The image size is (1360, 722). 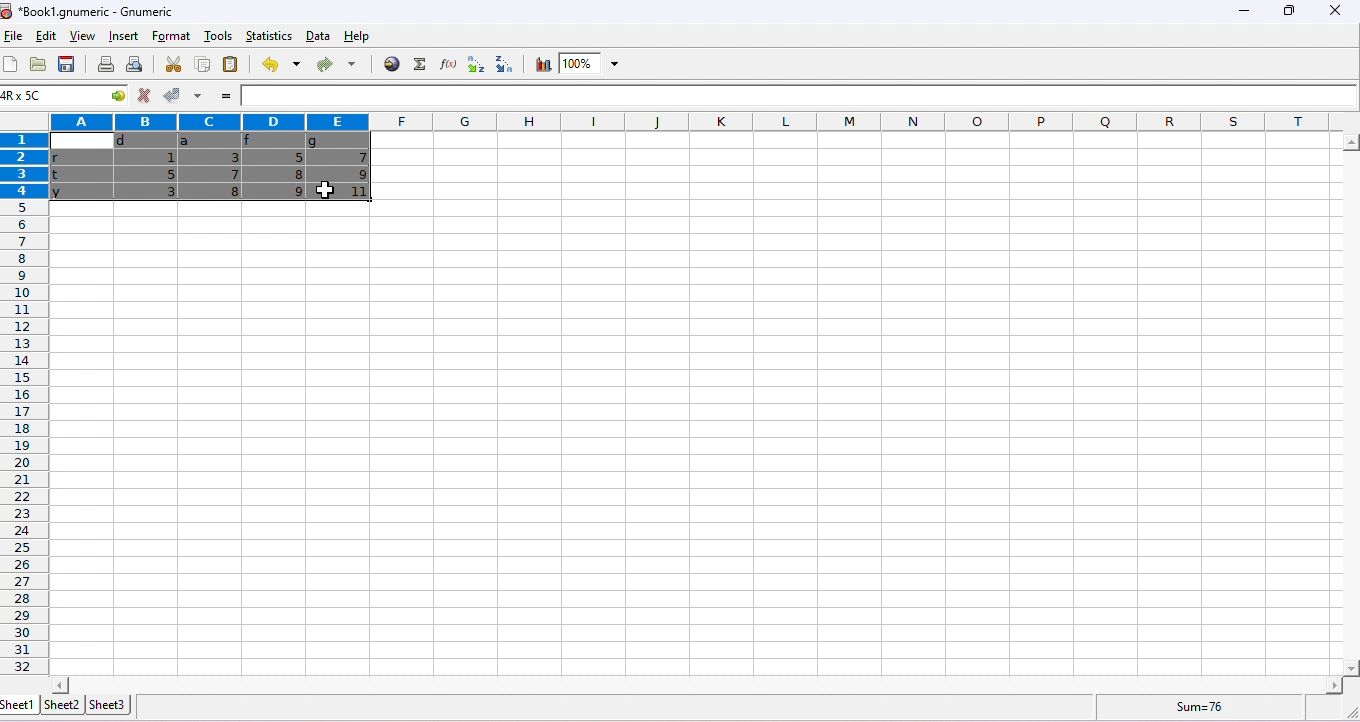 What do you see at coordinates (541, 65) in the screenshot?
I see `chart` at bounding box center [541, 65].